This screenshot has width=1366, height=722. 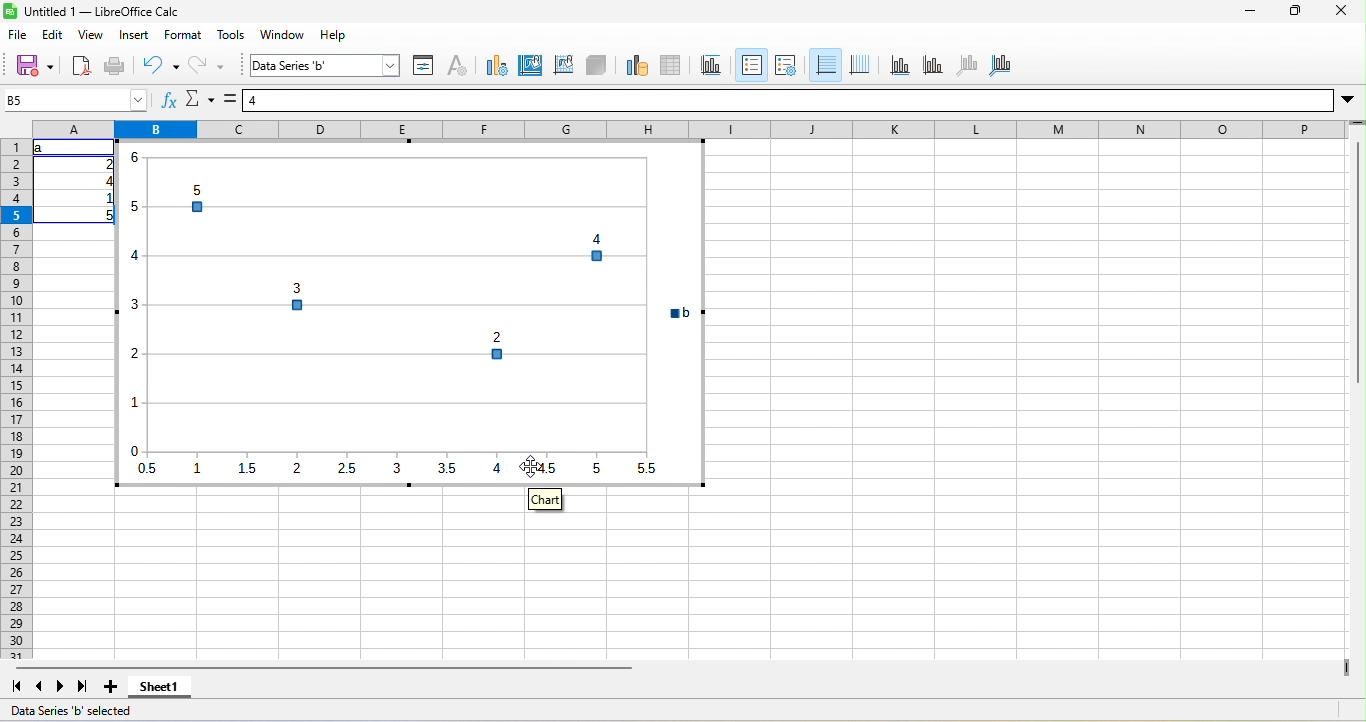 What do you see at coordinates (752, 65) in the screenshot?
I see `legend on/off` at bounding box center [752, 65].